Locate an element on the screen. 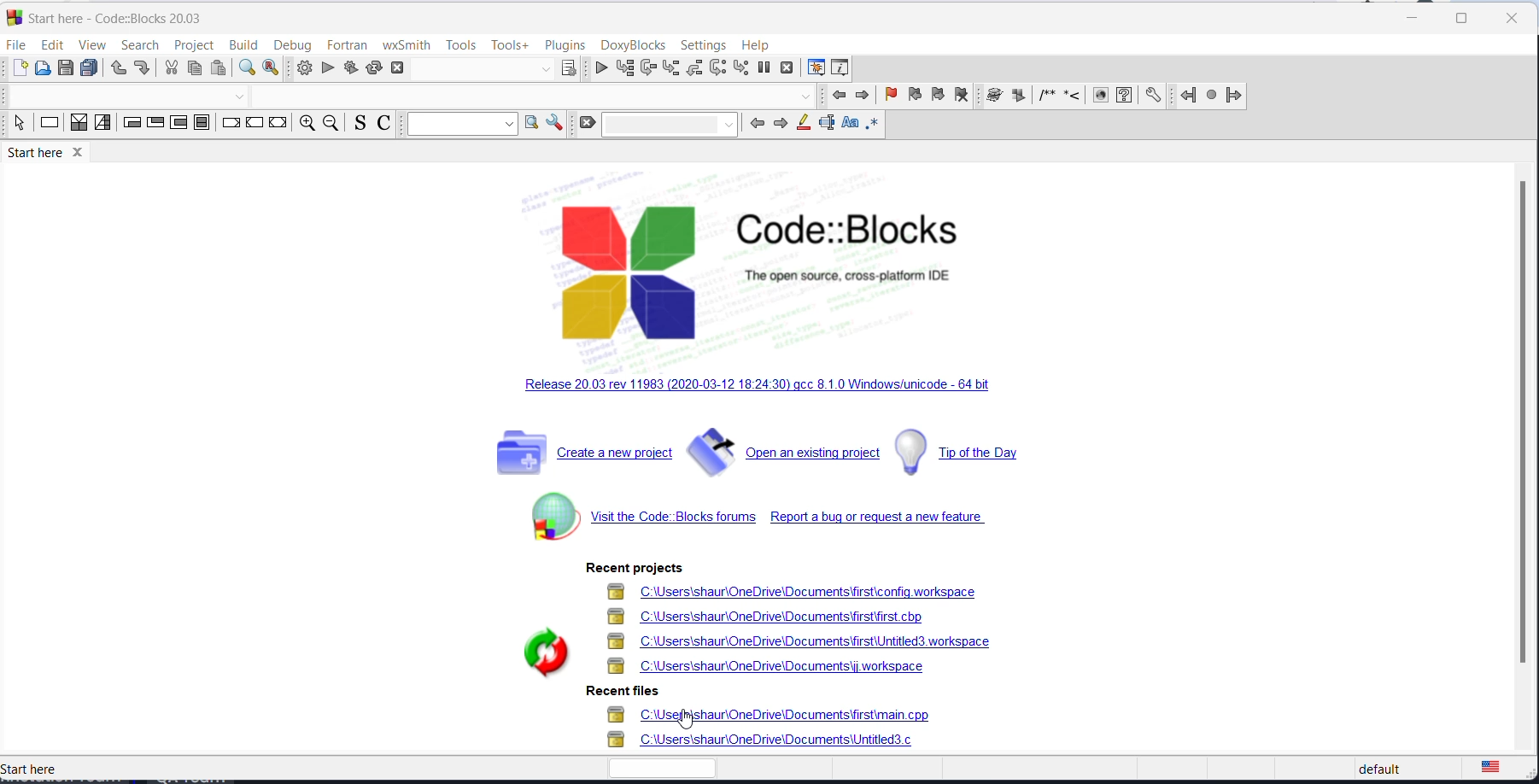  file is located at coordinates (18, 44).